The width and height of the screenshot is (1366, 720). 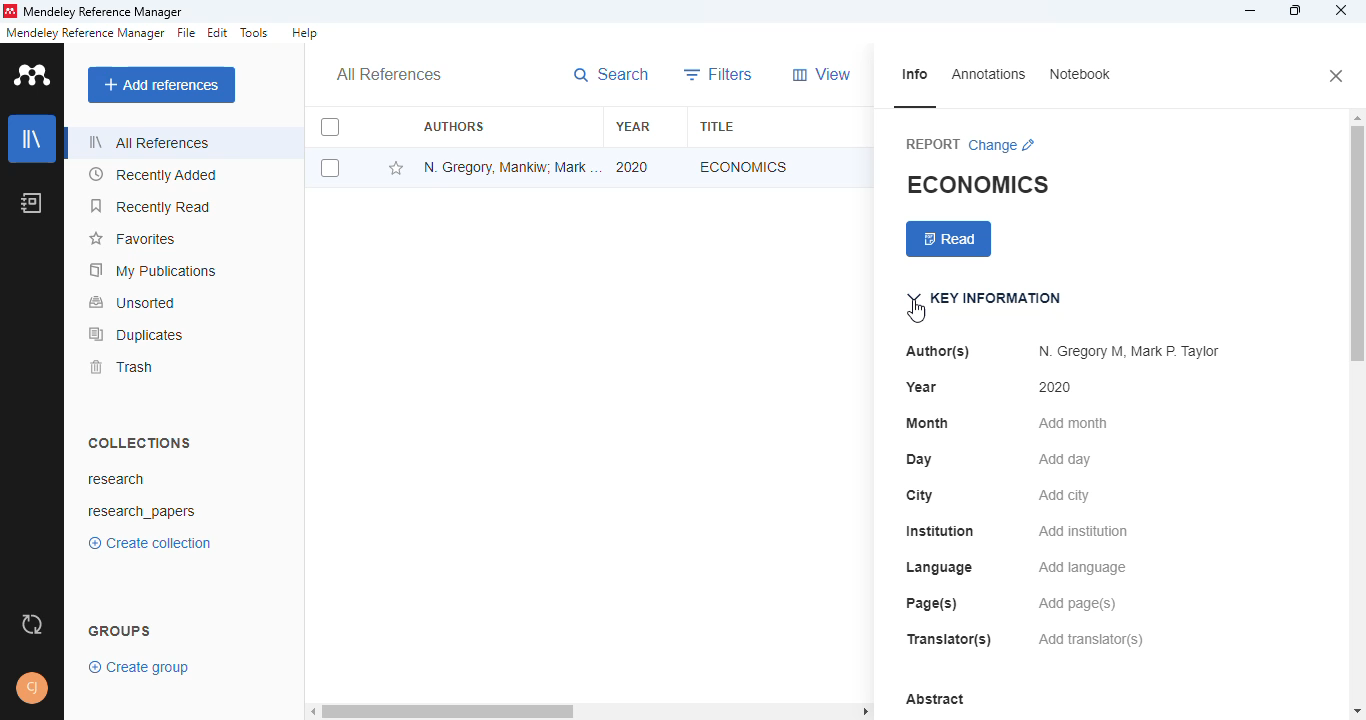 What do you see at coordinates (716, 127) in the screenshot?
I see `title` at bounding box center [716, 127].